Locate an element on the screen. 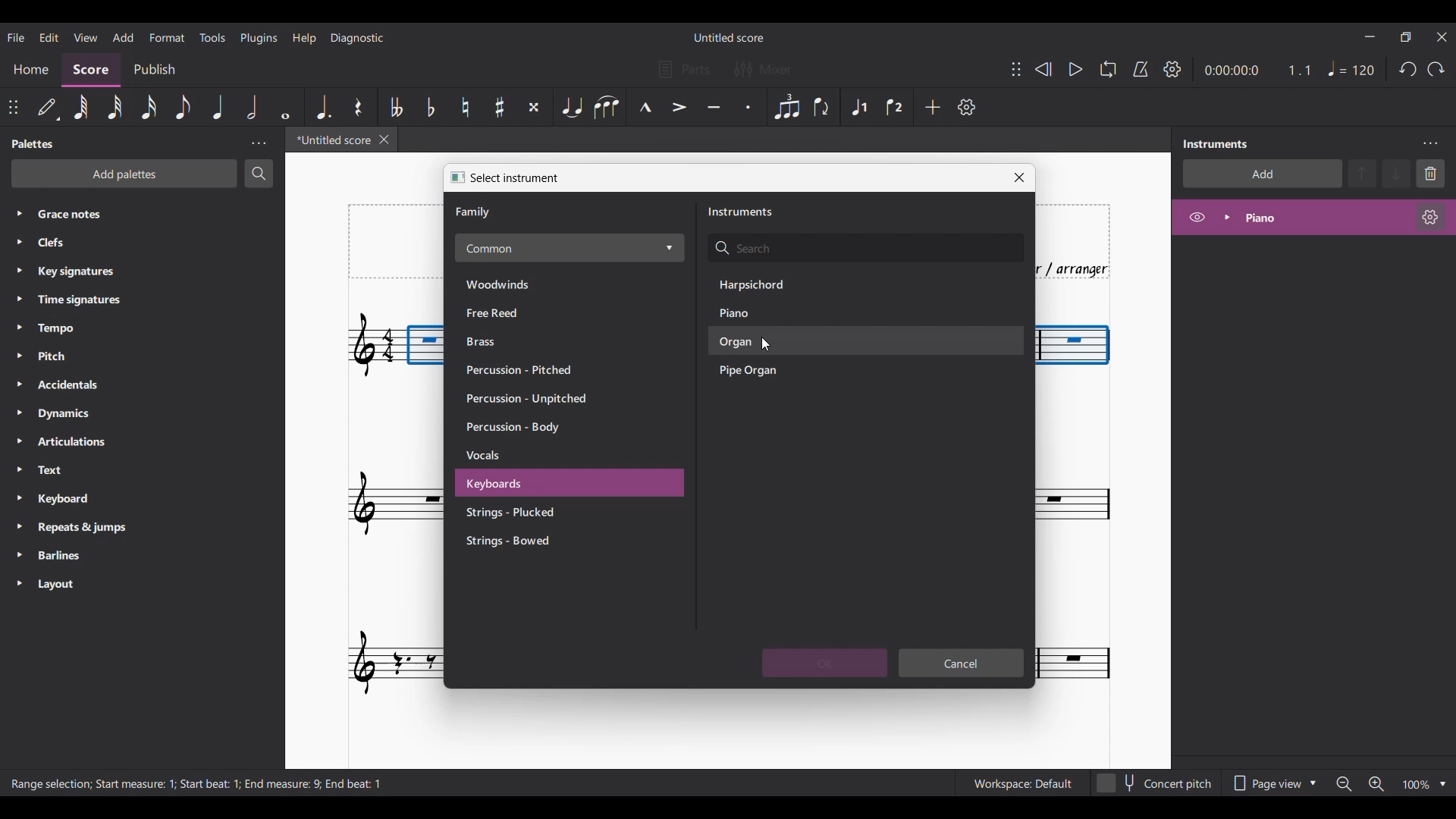 Image resolution: width=1456 pixels, height=819 pixels. Add menu is located at coordinates (123, 37).